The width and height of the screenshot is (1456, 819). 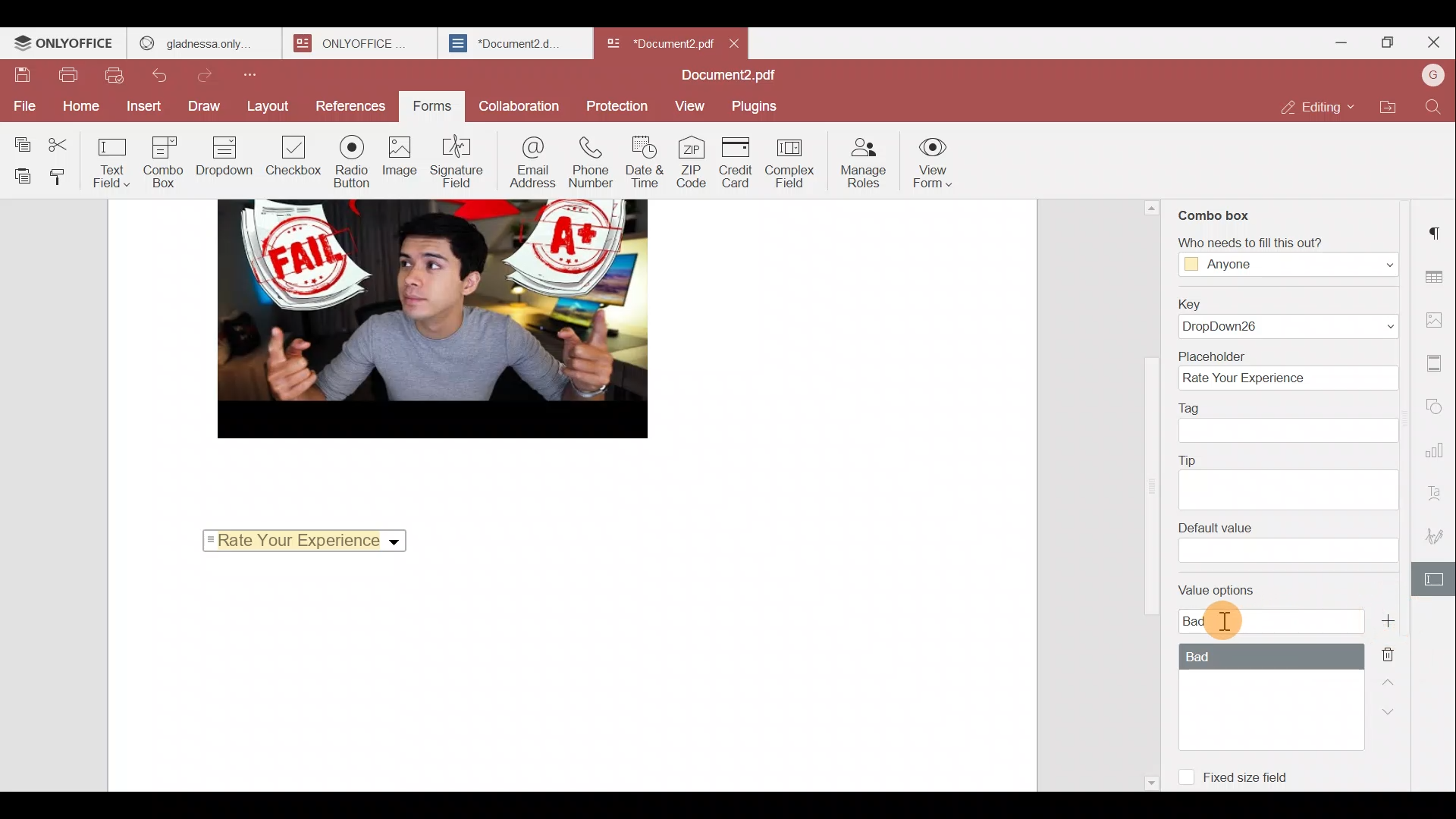 I want to click on Paragraph settings, so click(x=1437, y=229).